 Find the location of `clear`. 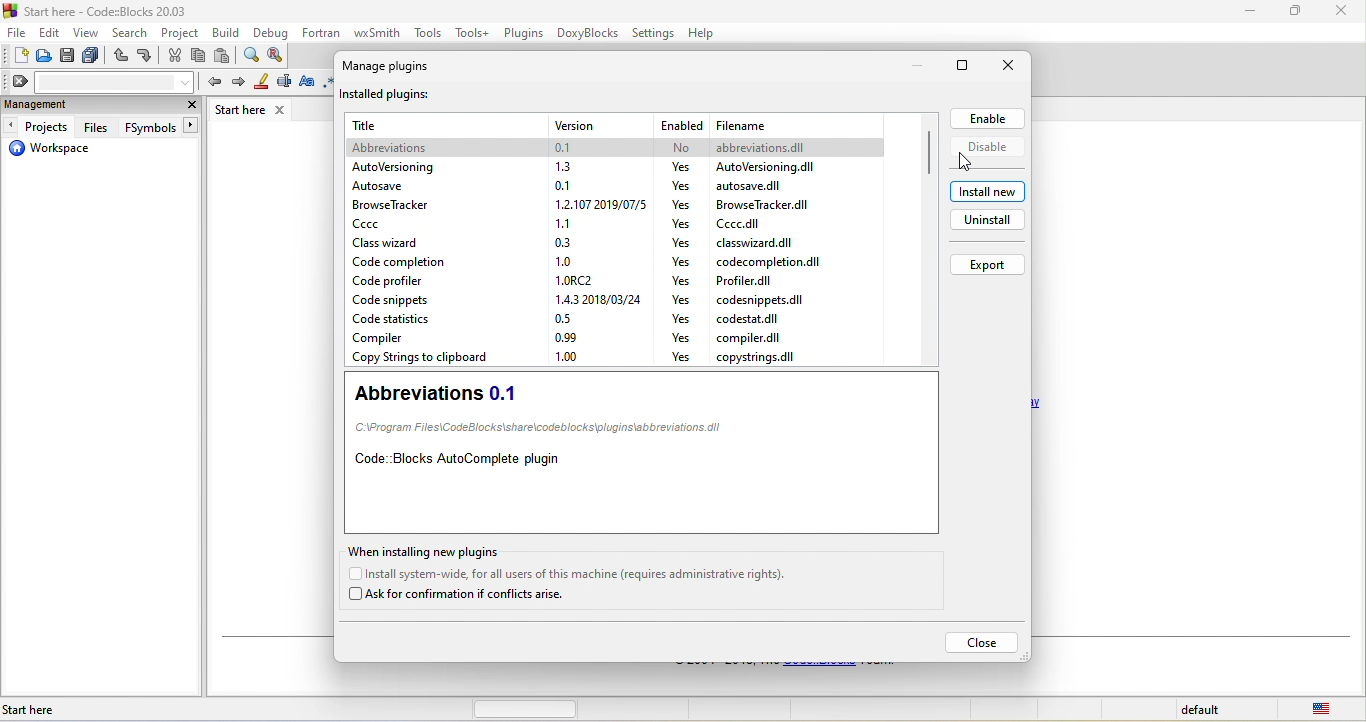

clear is located at coordinates (100, 81).